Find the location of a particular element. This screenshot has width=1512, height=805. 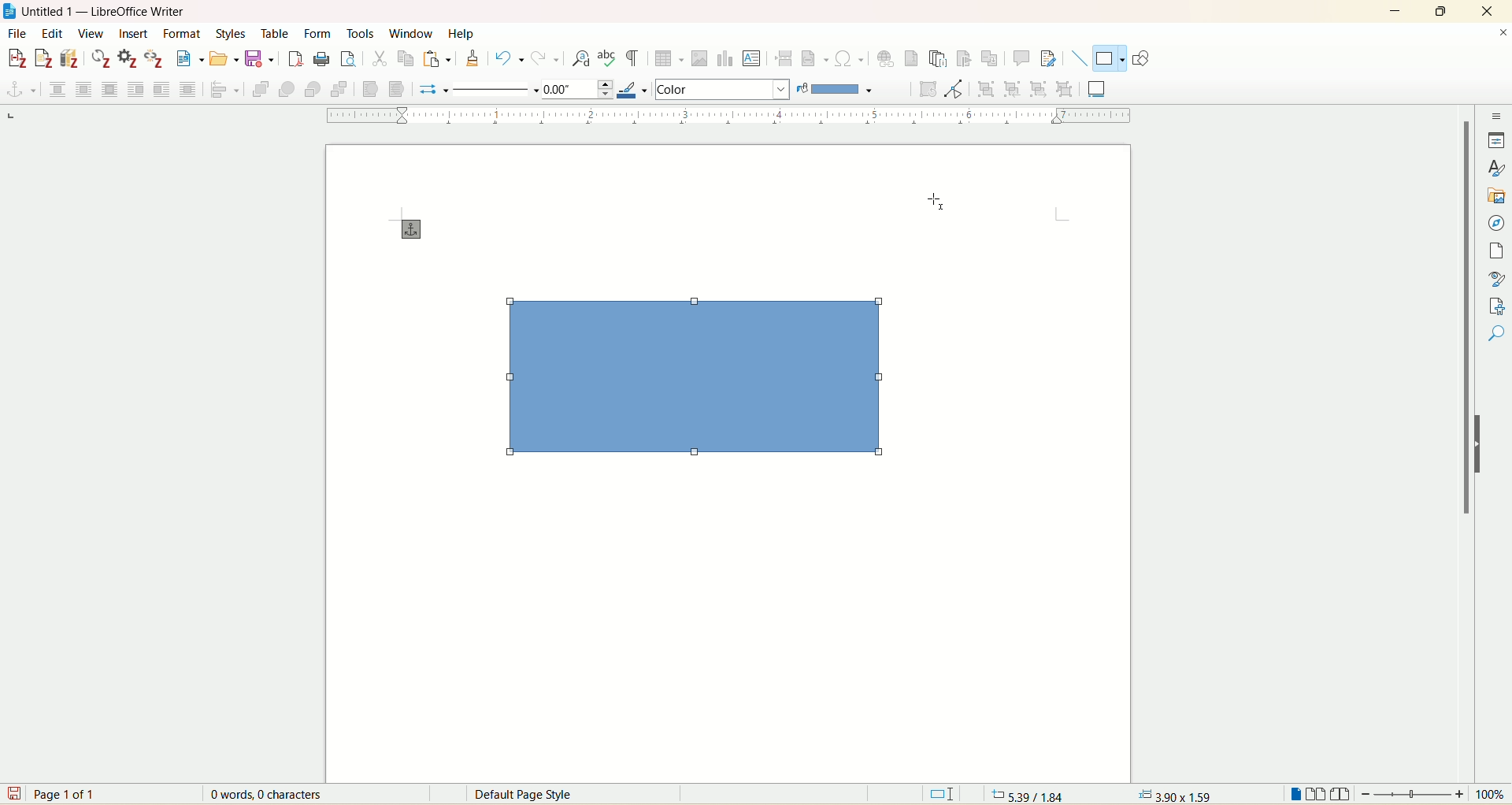

save is located at coordinates (13, 793).